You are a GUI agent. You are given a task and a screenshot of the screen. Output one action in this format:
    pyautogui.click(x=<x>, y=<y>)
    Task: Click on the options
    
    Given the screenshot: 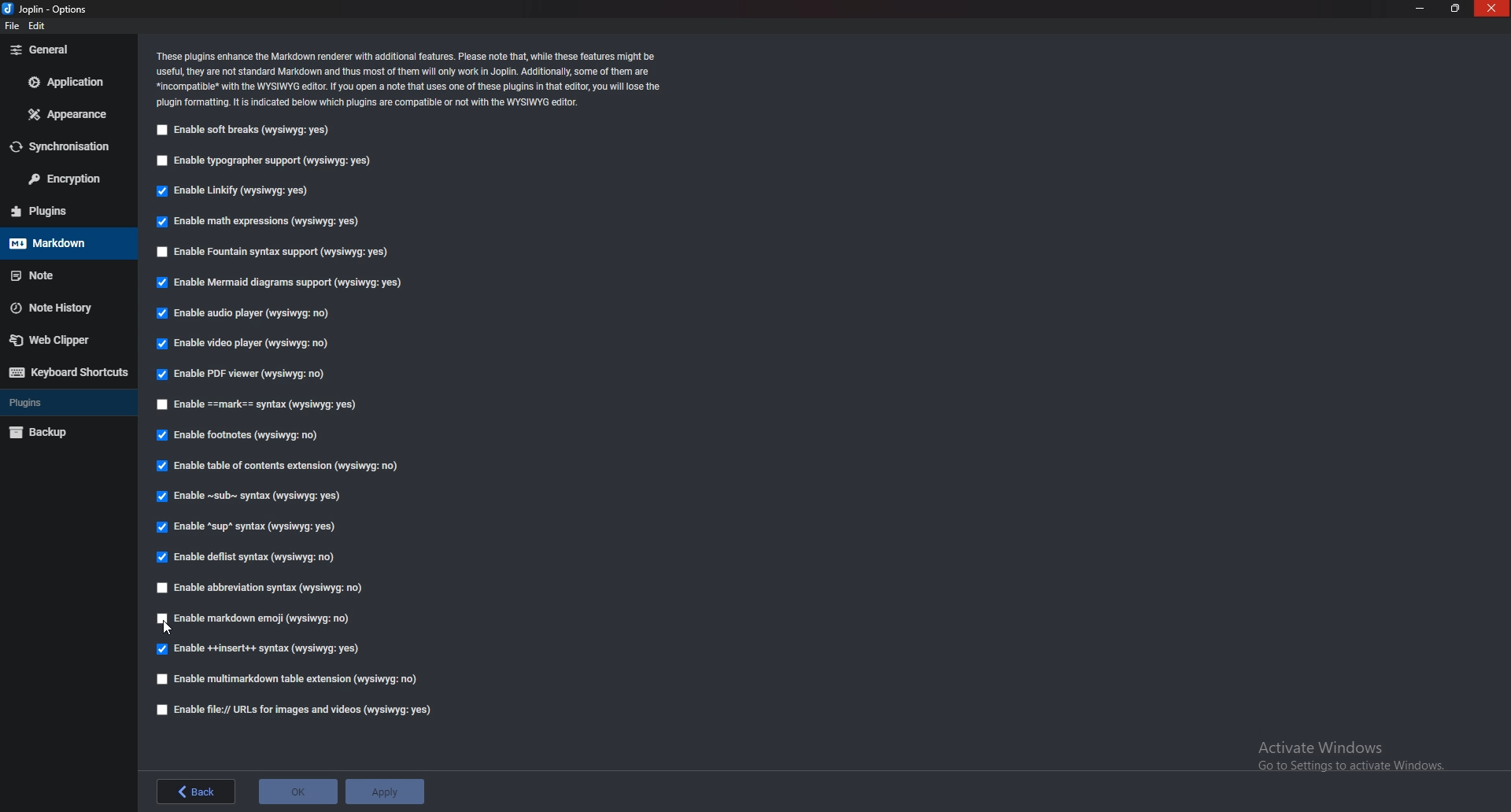 What is the action you would take?
    pyautogui.click(x=53, y=9)
    